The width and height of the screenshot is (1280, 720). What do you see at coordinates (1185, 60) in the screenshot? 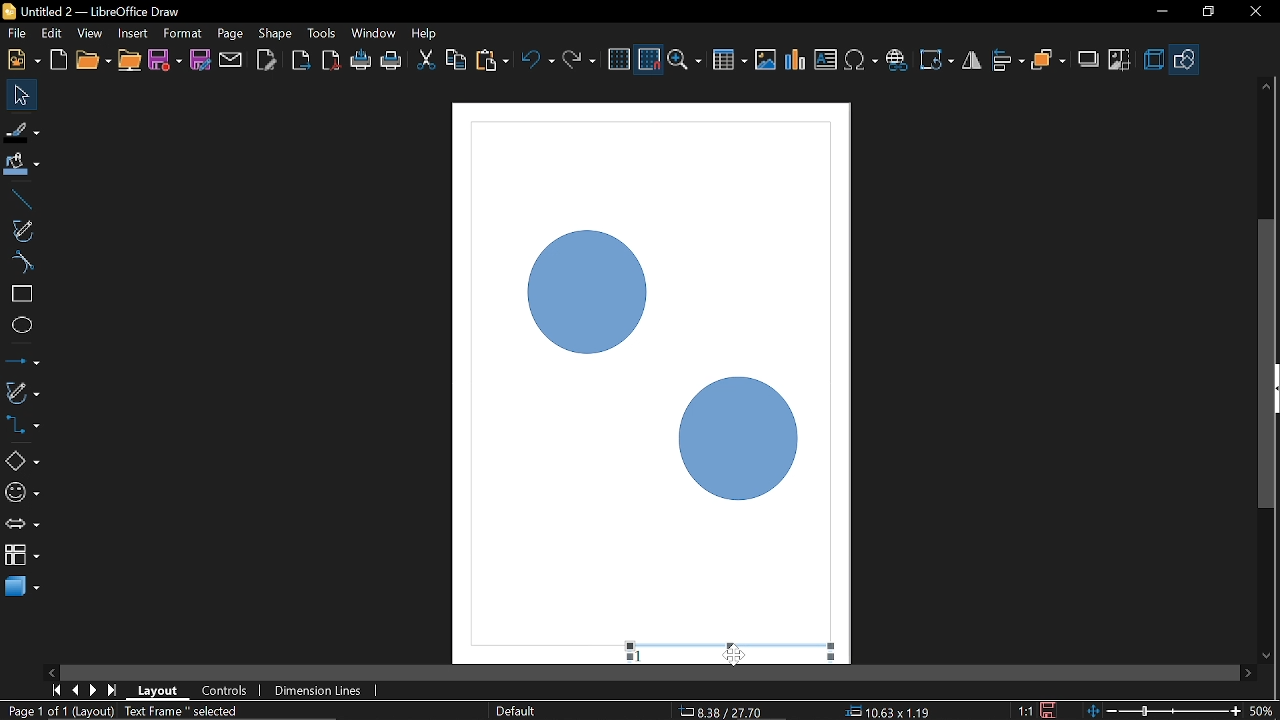
I see `Draw shapes` at bounding box center [1185, 60].